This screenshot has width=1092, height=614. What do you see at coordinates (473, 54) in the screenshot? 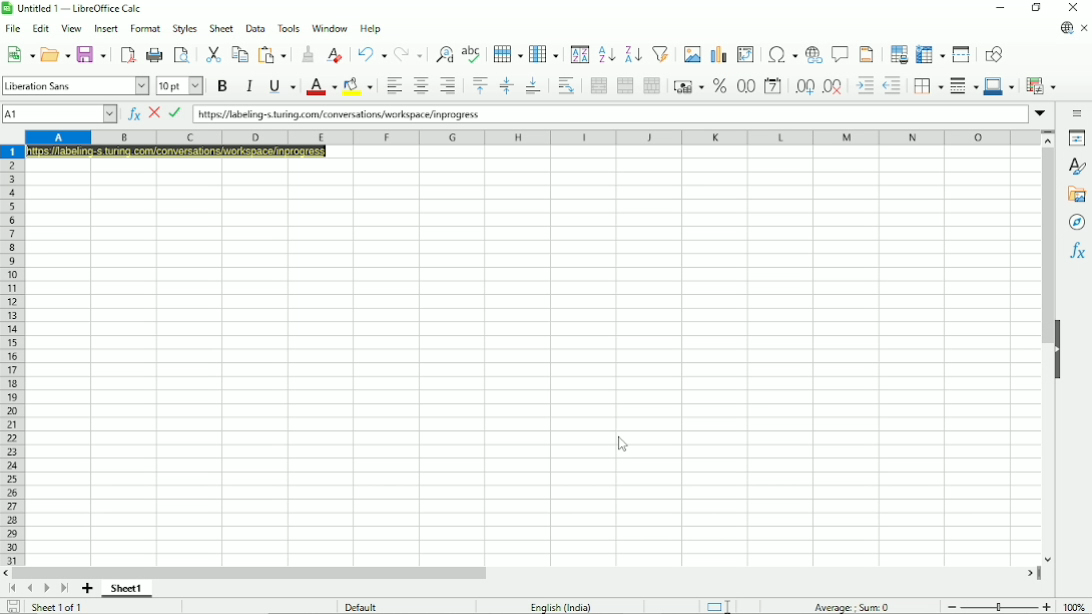
I see `Spell check` at bounding box center [473, 54].